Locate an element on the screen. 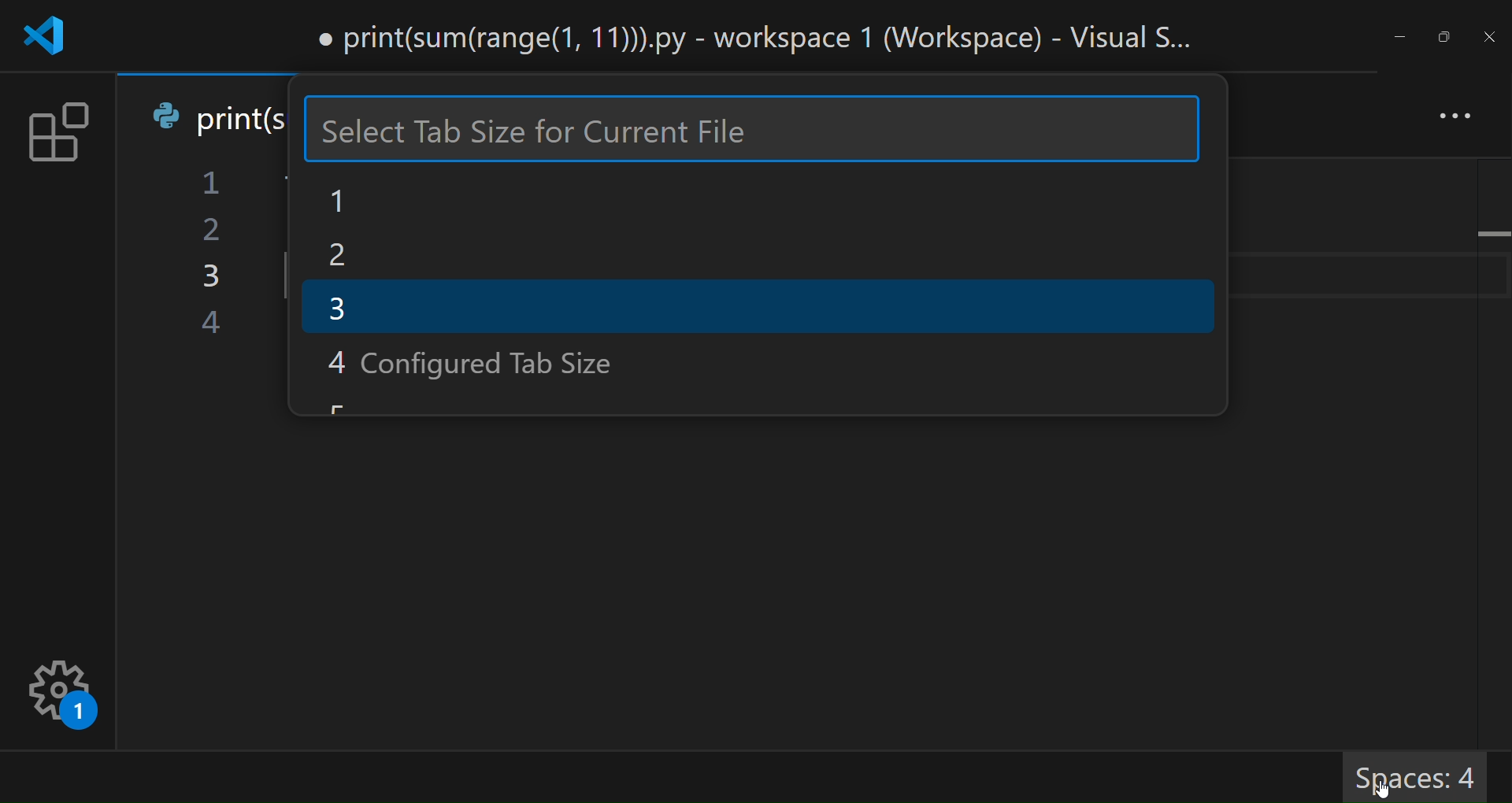  line number is located at coordinates (206, 257).